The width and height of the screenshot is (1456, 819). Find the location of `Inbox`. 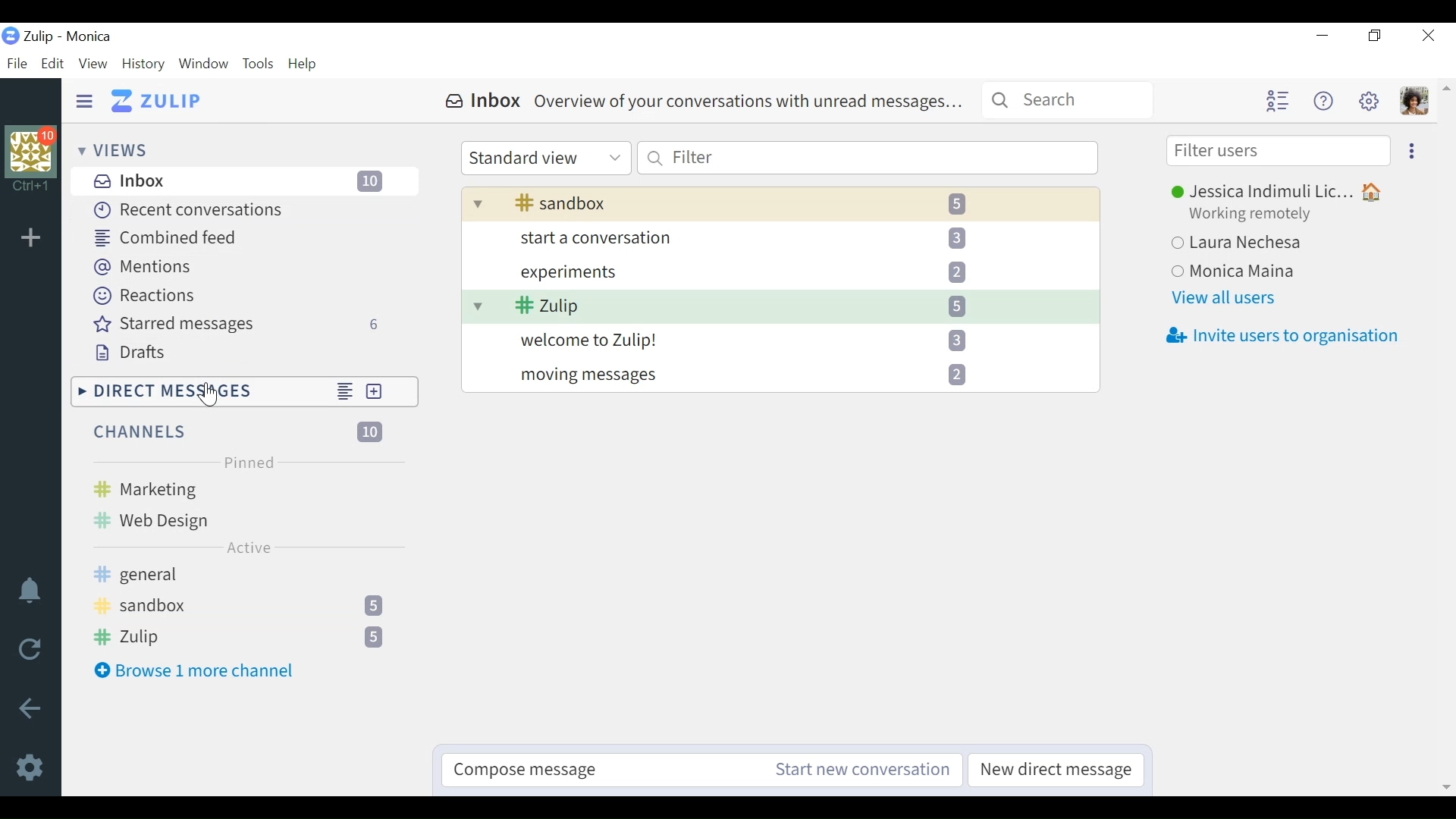

Inbox is located at coordinates (701, 102).